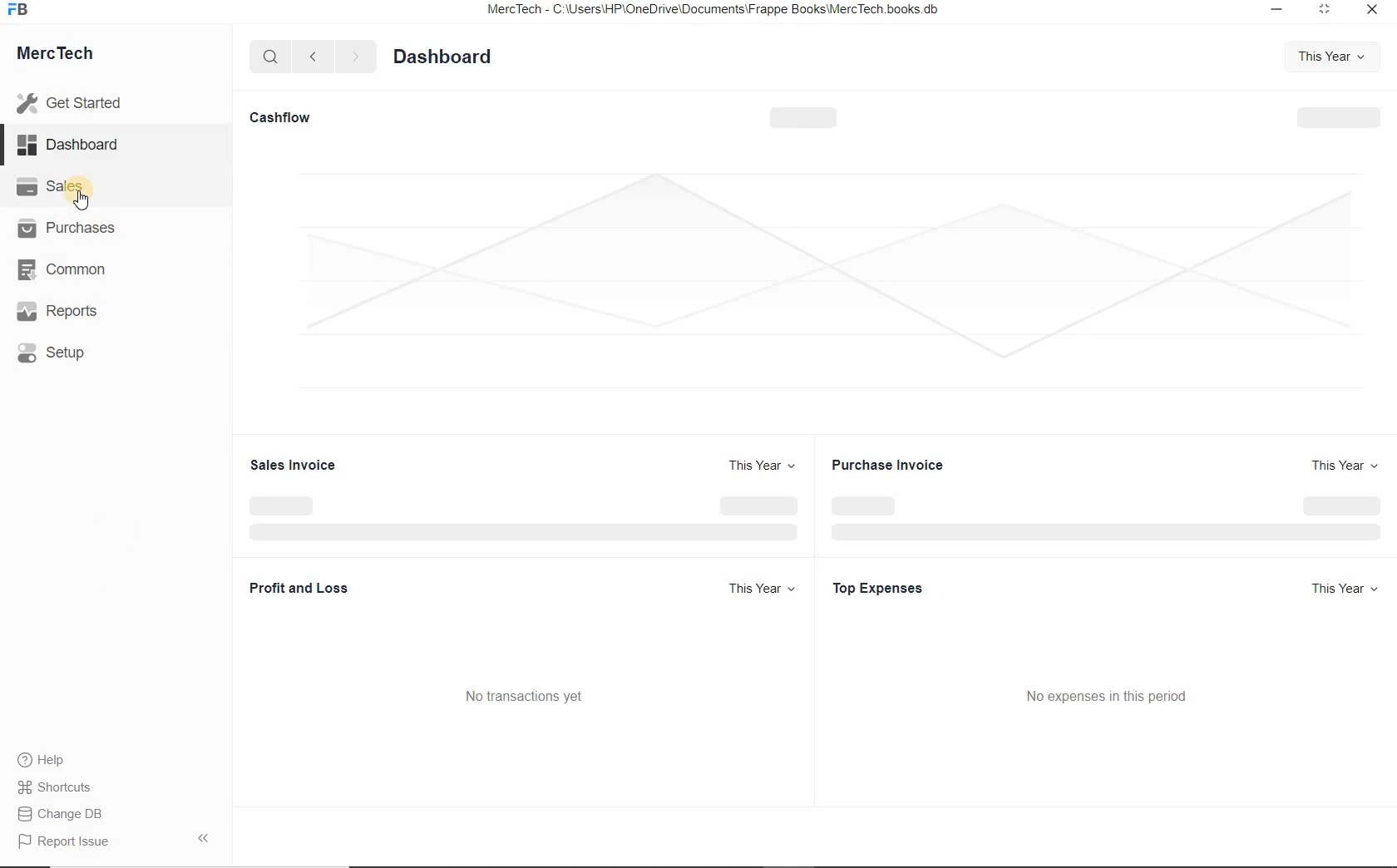 This screenshot has width=1397, height=868. What do you see at coordinates (525, 696) in the screenshot?
I see `No transactions yet` at bounding box center [525, 696].